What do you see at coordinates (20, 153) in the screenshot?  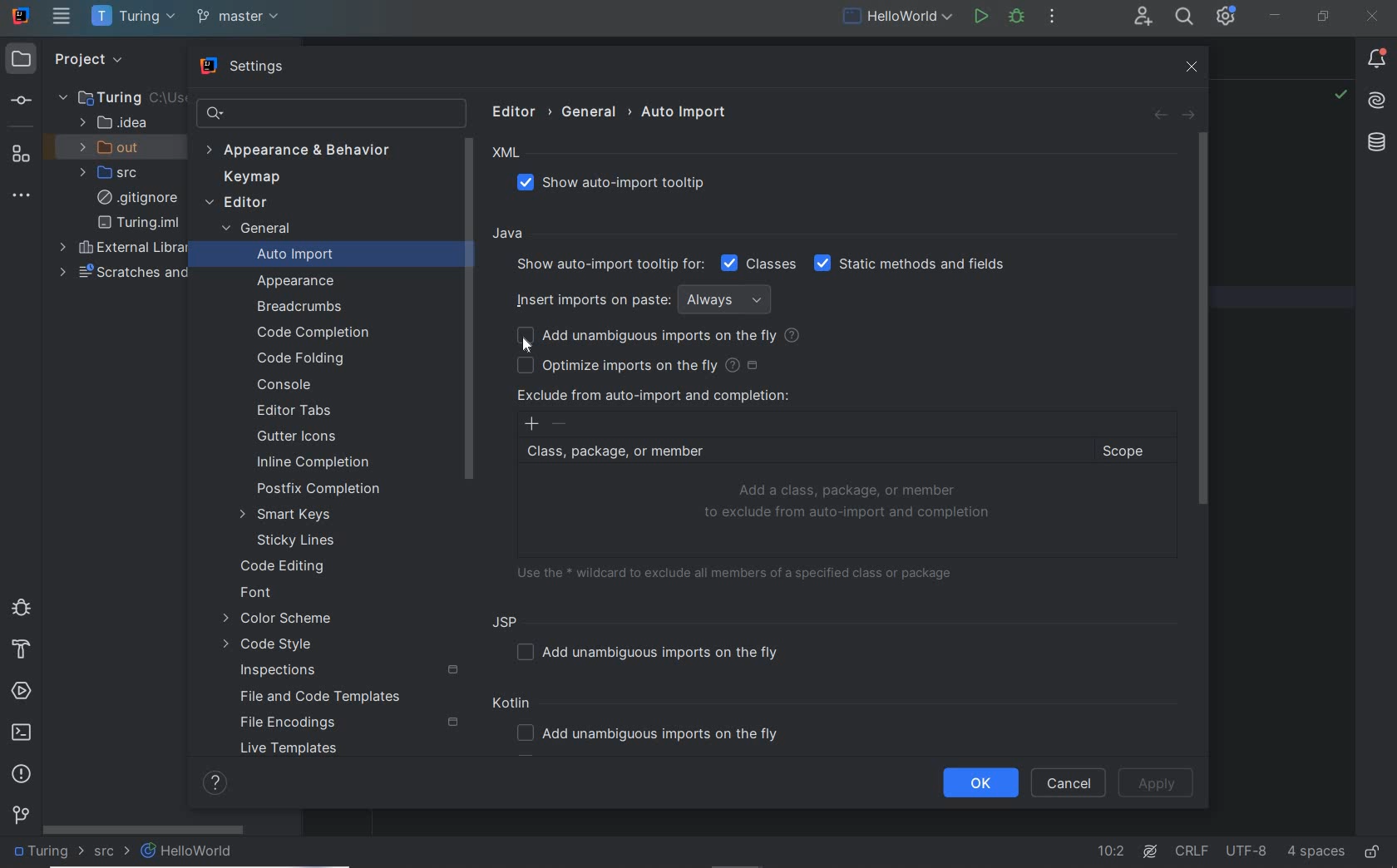 I see `structure` at bounding box center [20, 153].